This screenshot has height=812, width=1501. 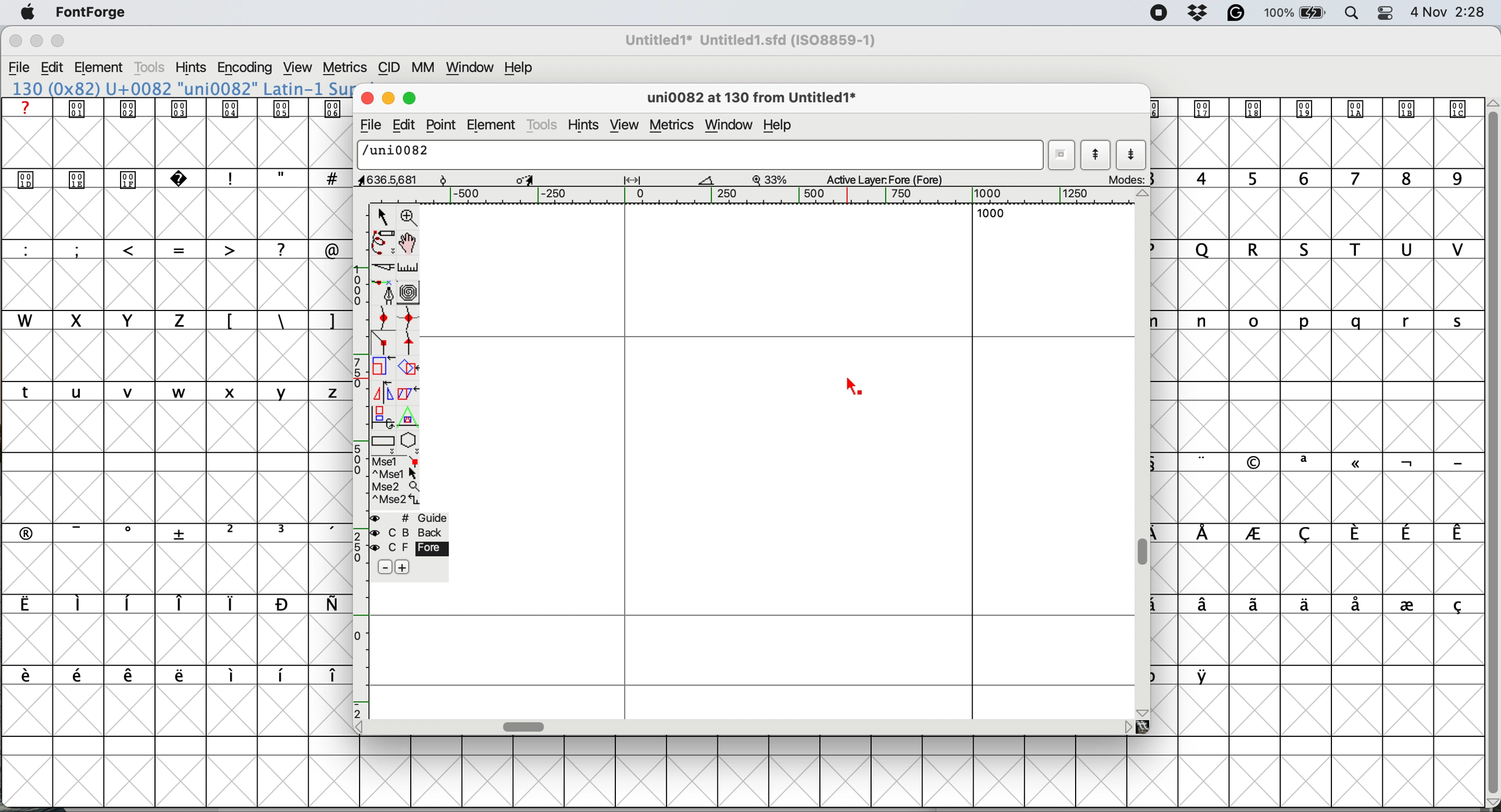 I want to click on fore, so click(x=409, y=548).